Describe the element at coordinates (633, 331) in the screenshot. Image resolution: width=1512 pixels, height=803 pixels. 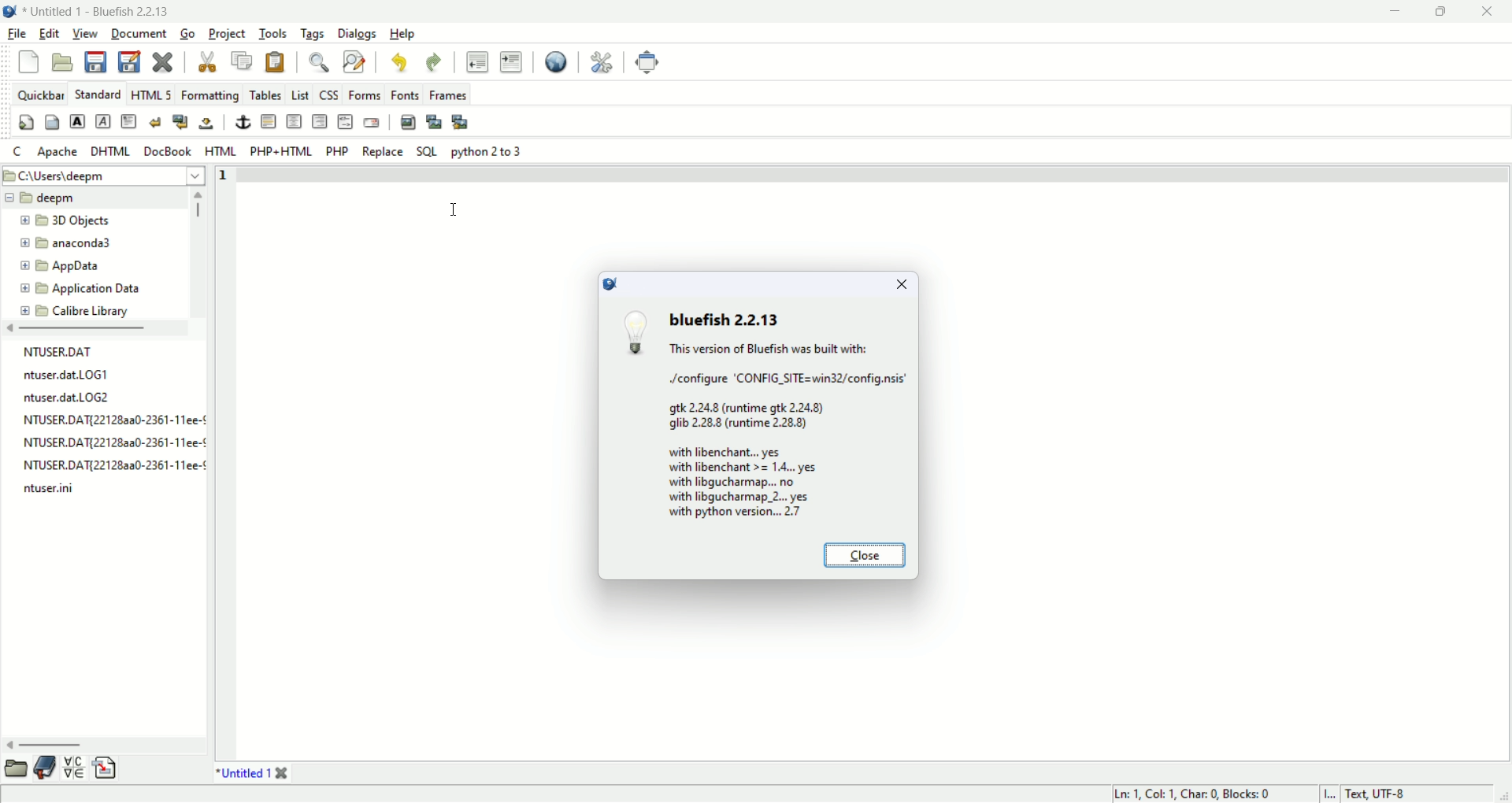
I see `bulb icon` at that location.